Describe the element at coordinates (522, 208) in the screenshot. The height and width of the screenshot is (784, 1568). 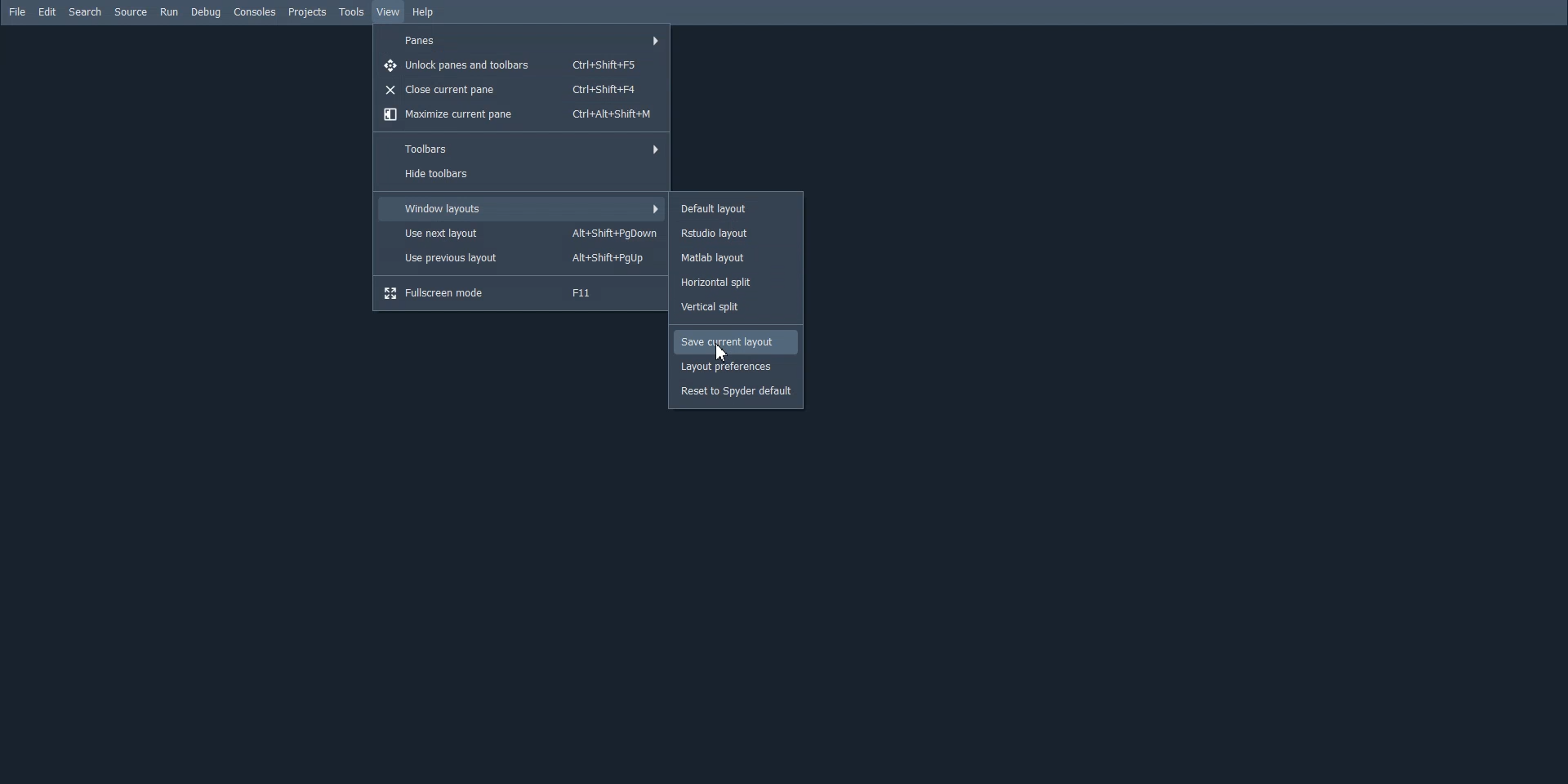
I see `Window layout` at that location.